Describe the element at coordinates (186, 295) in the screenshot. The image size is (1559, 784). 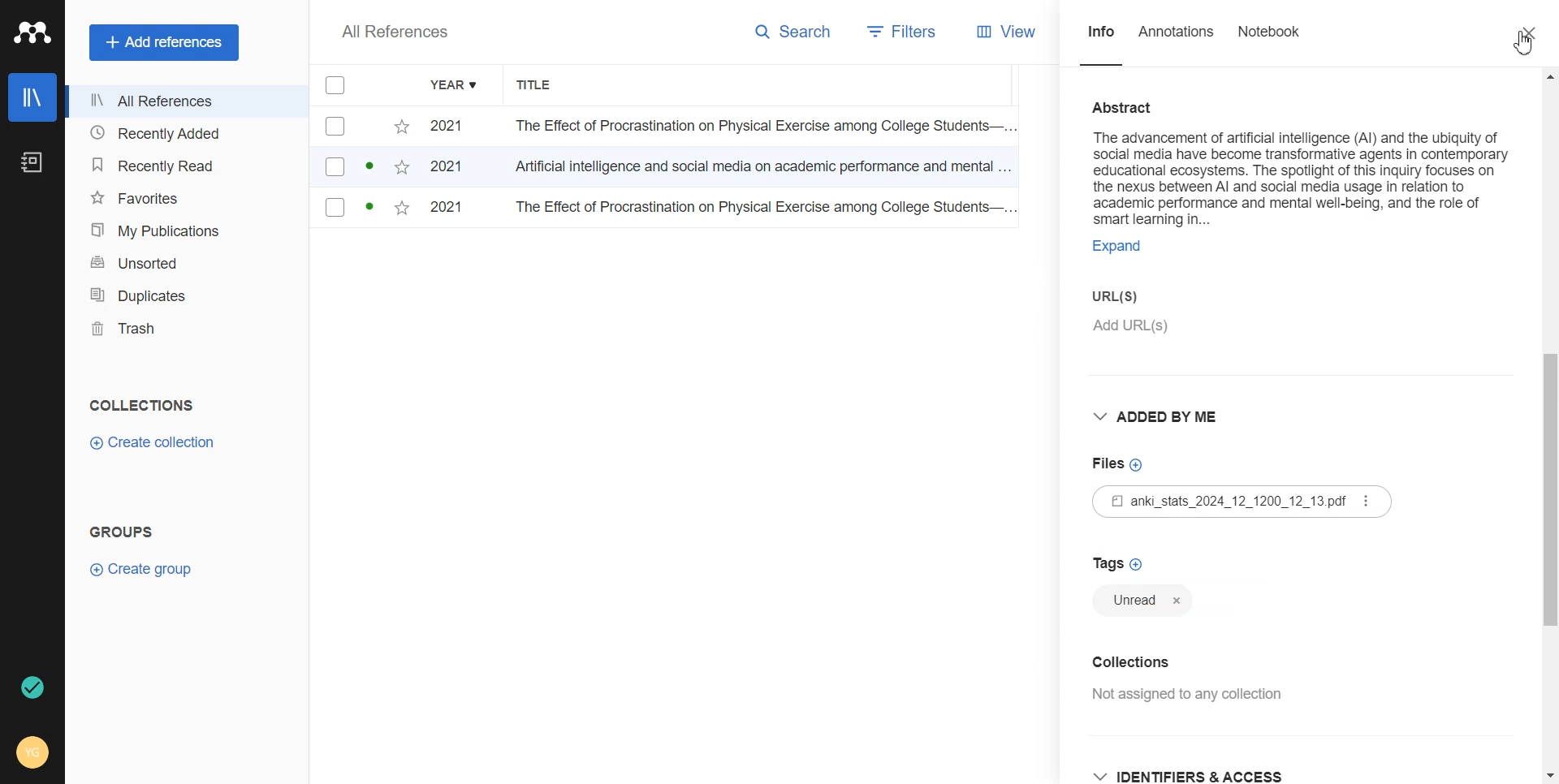
I see `Duplicates` at that location.